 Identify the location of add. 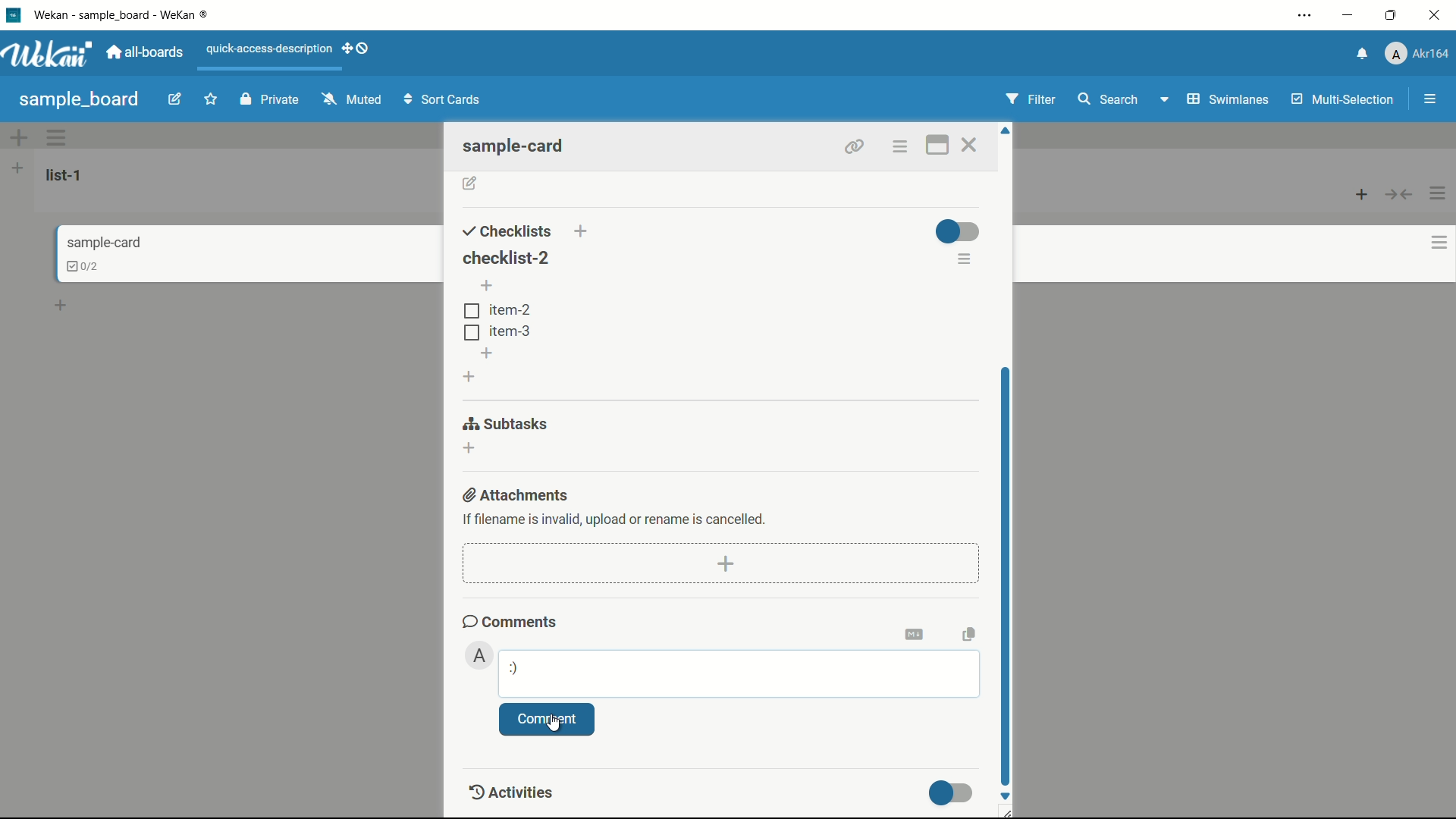
(63, 308).